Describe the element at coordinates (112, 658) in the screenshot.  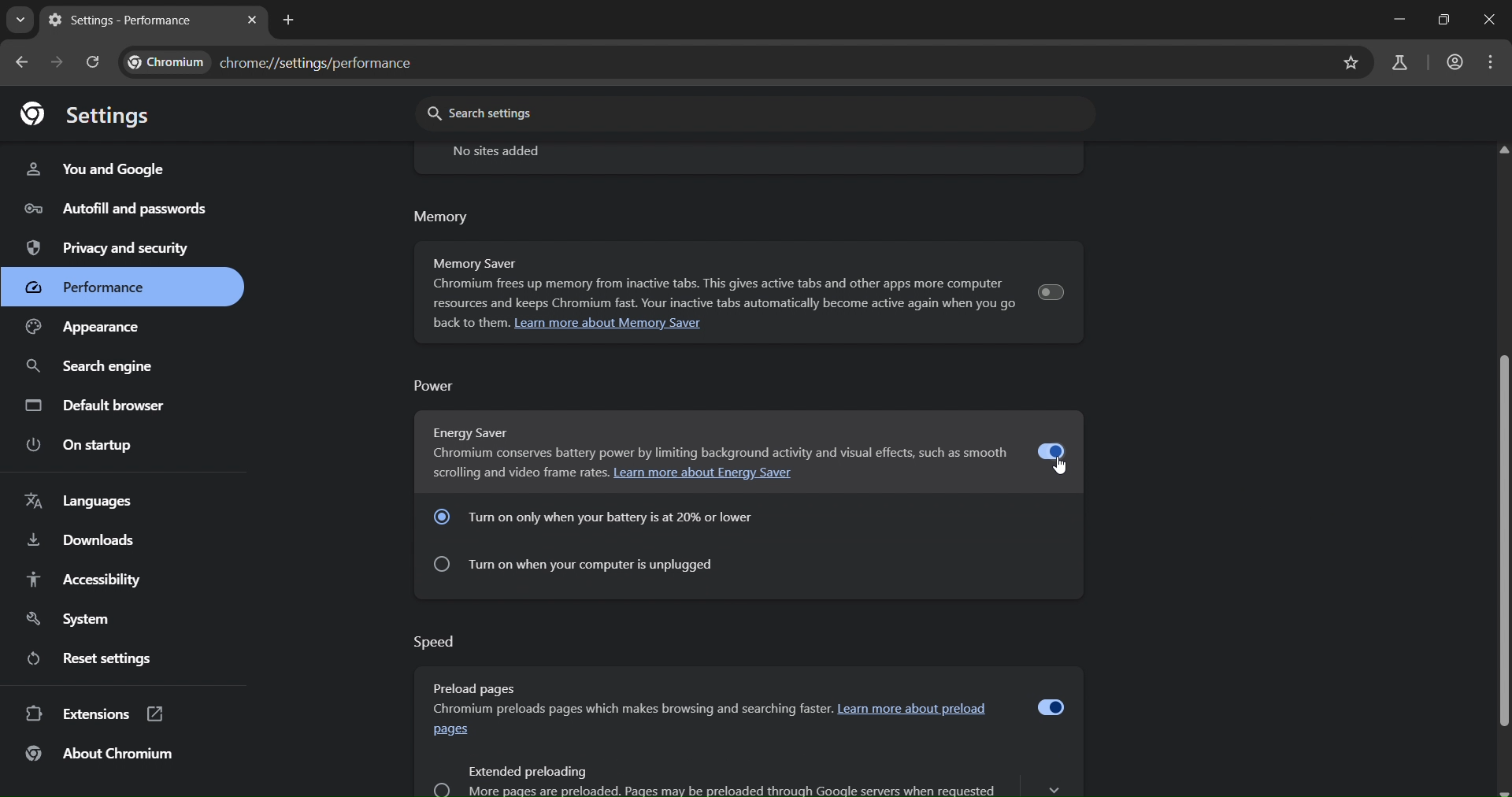
I see `reset settings` at that location.